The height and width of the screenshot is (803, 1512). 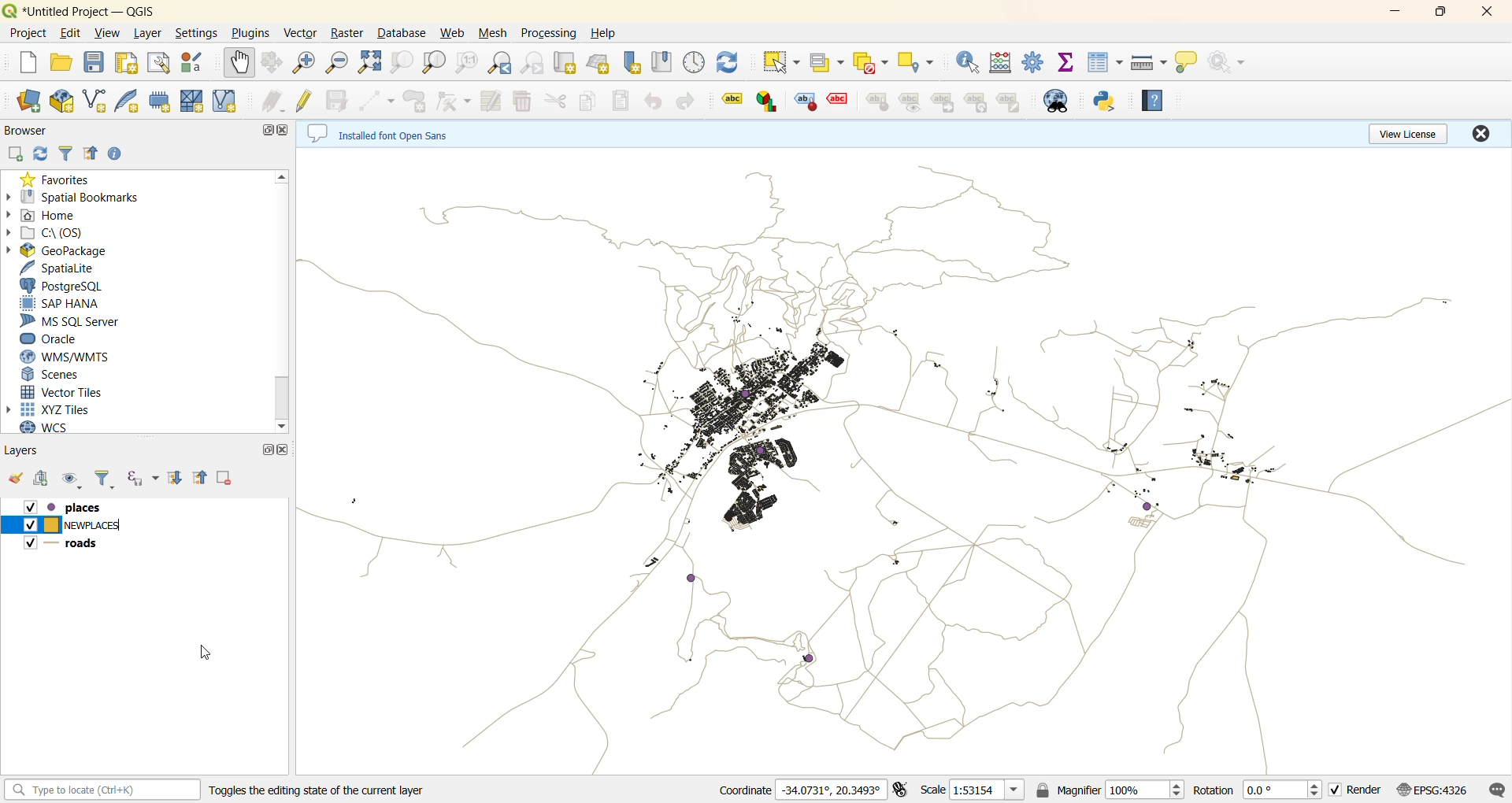 What do you see at coordinates (239, 65) in the screenshot?
I see `pan map` at bounding box center [239, 65].